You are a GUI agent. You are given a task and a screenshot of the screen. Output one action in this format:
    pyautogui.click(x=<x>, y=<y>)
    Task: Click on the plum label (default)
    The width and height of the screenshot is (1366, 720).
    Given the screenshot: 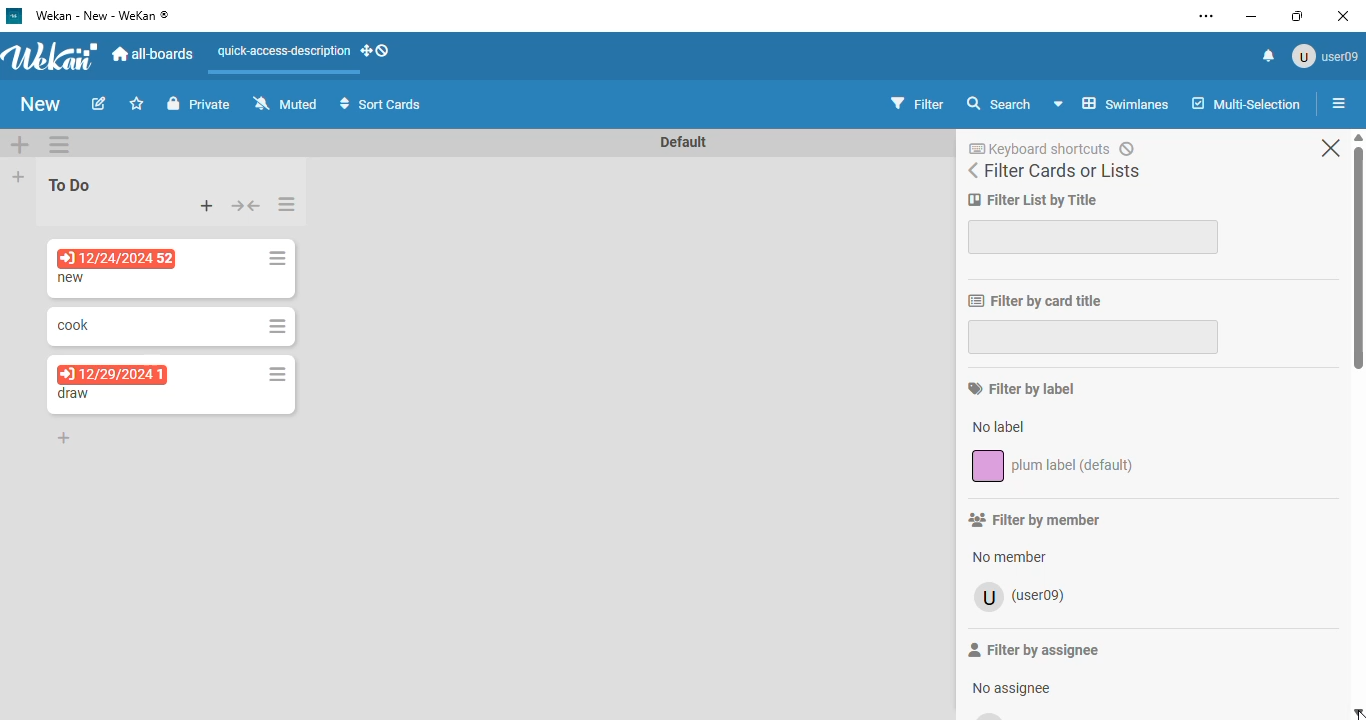 What is the action you would take?
    pyautogui.click(x=1053, y=465)
    